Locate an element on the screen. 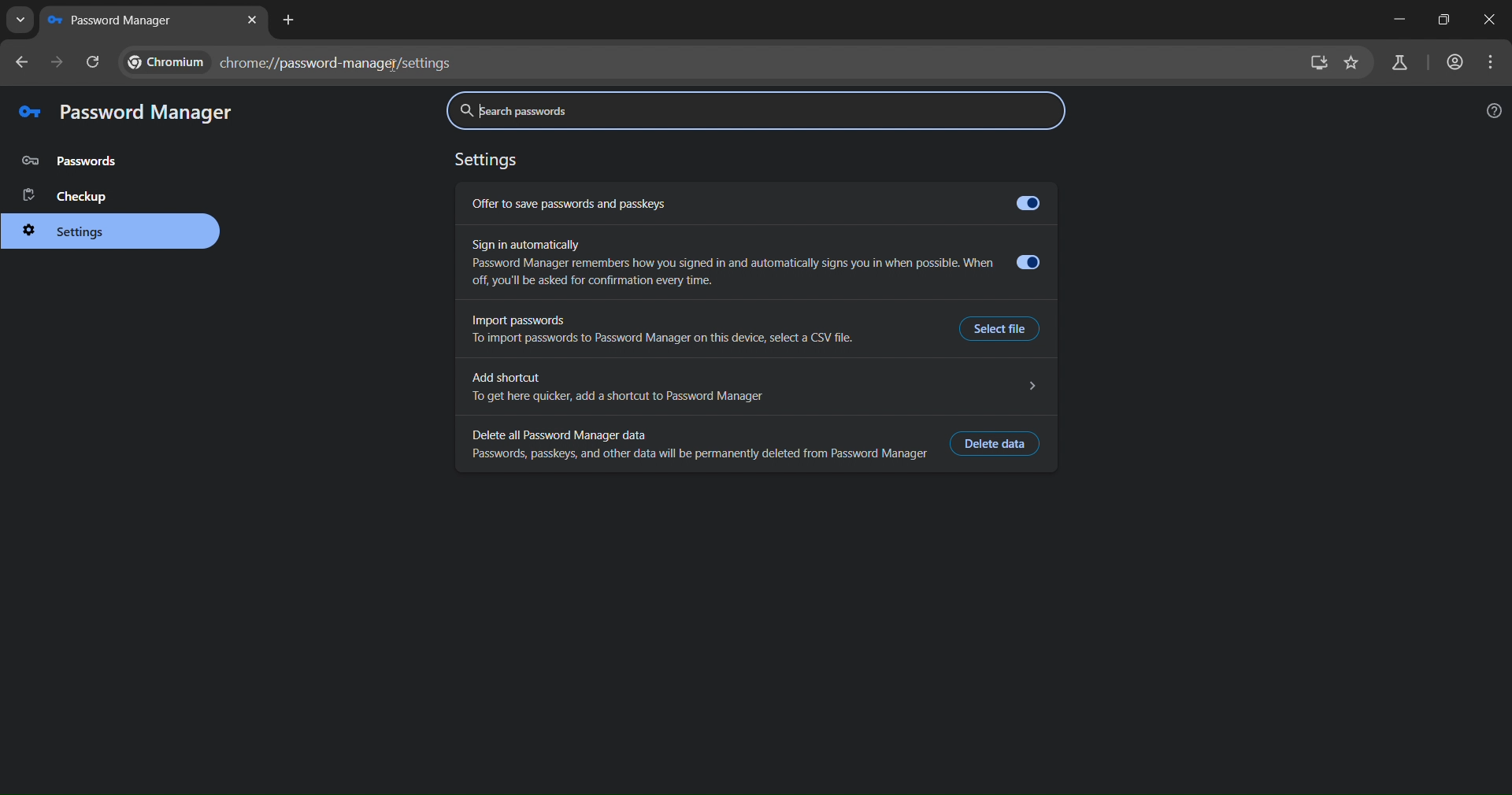 This screenshot has width=1512, height=795. close tab is located at coordinates (254, 20).